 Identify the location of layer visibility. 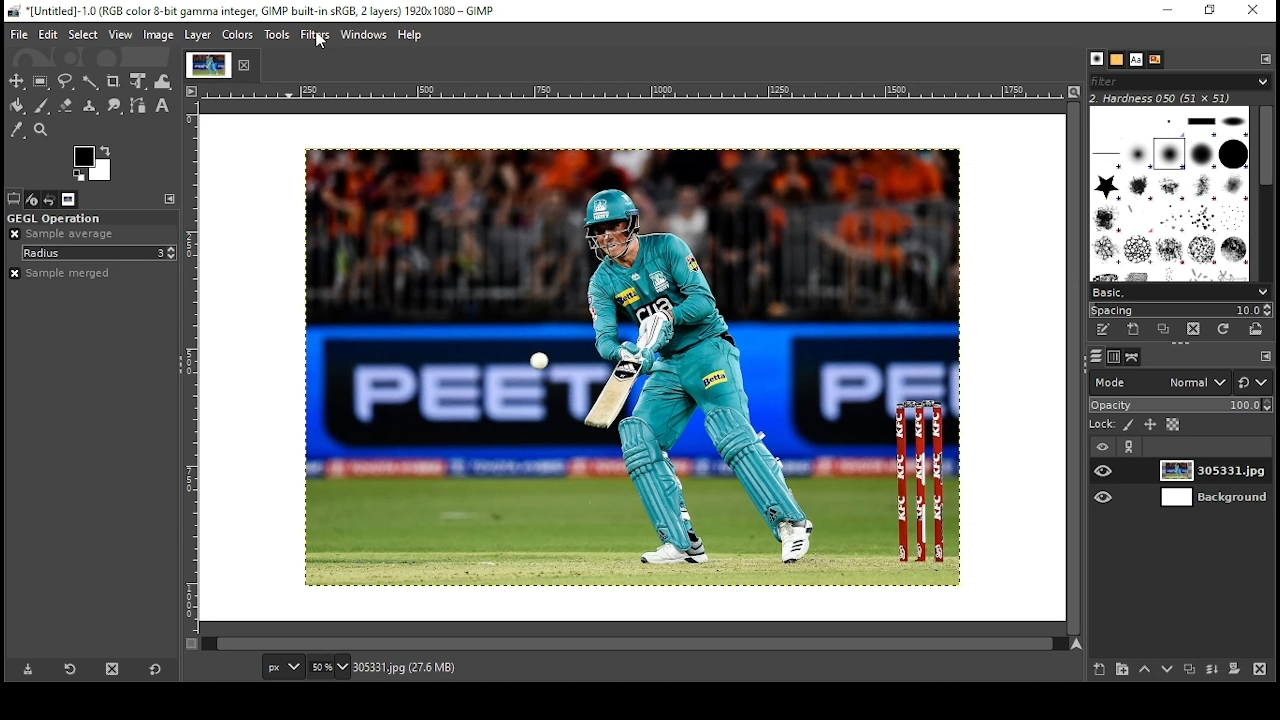
(1105, 447).